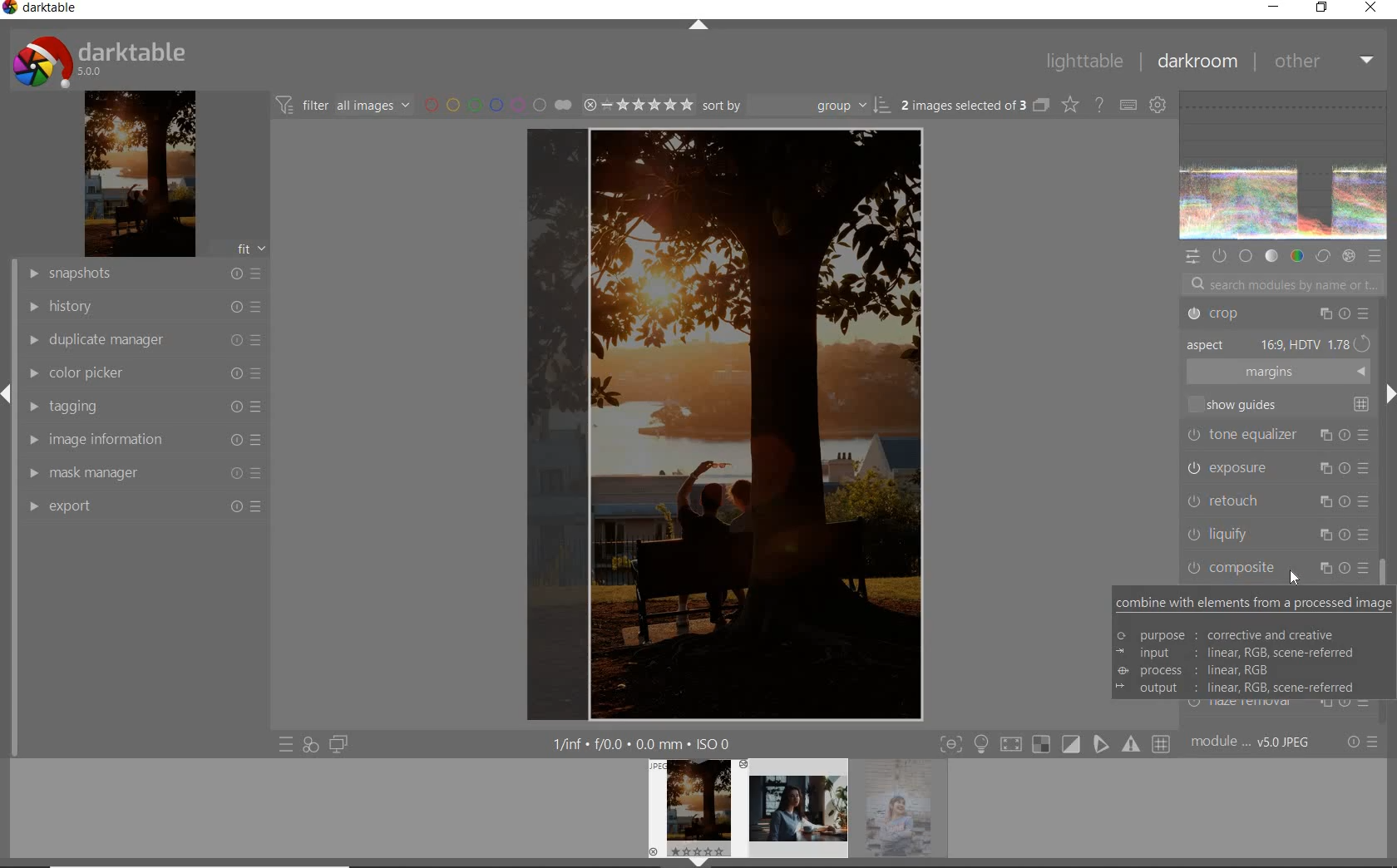  Describe the element at coordinates (1363, 744) in the screenshot. I see `reset or preset & preference` at that location.